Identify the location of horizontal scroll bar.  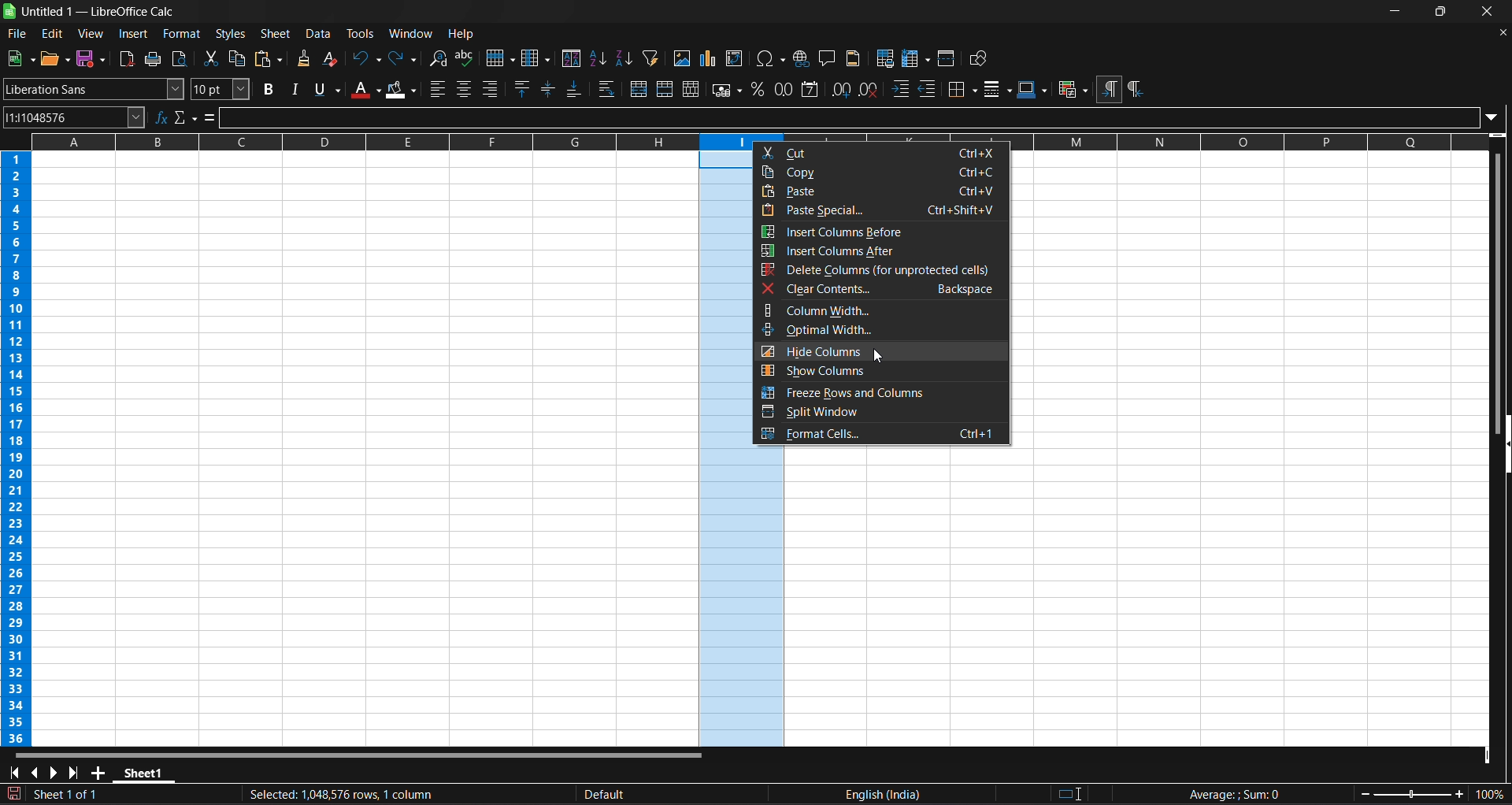
(354, 753).